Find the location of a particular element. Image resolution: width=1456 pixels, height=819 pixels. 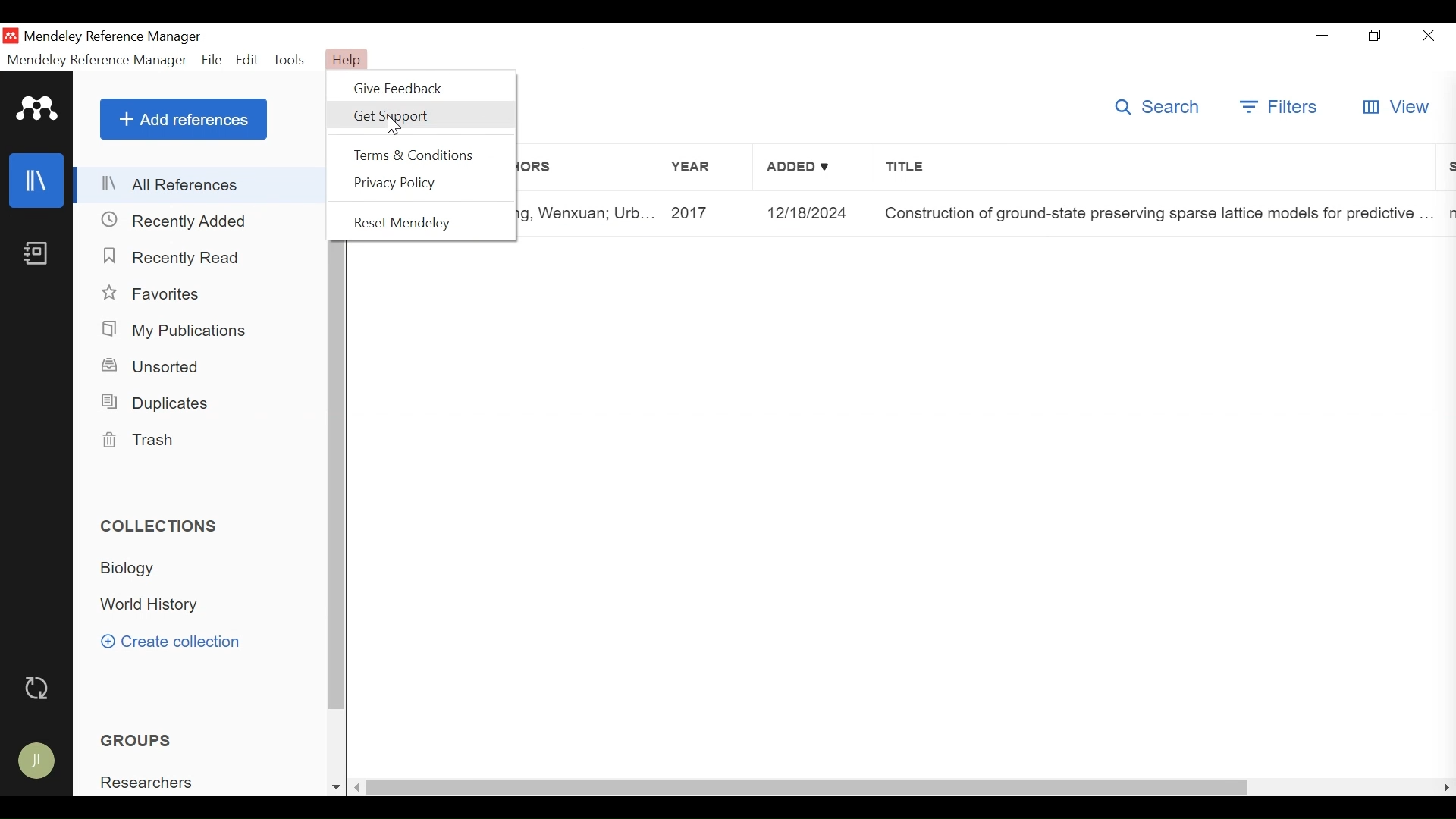

Group is located at coordinates (142, 740).